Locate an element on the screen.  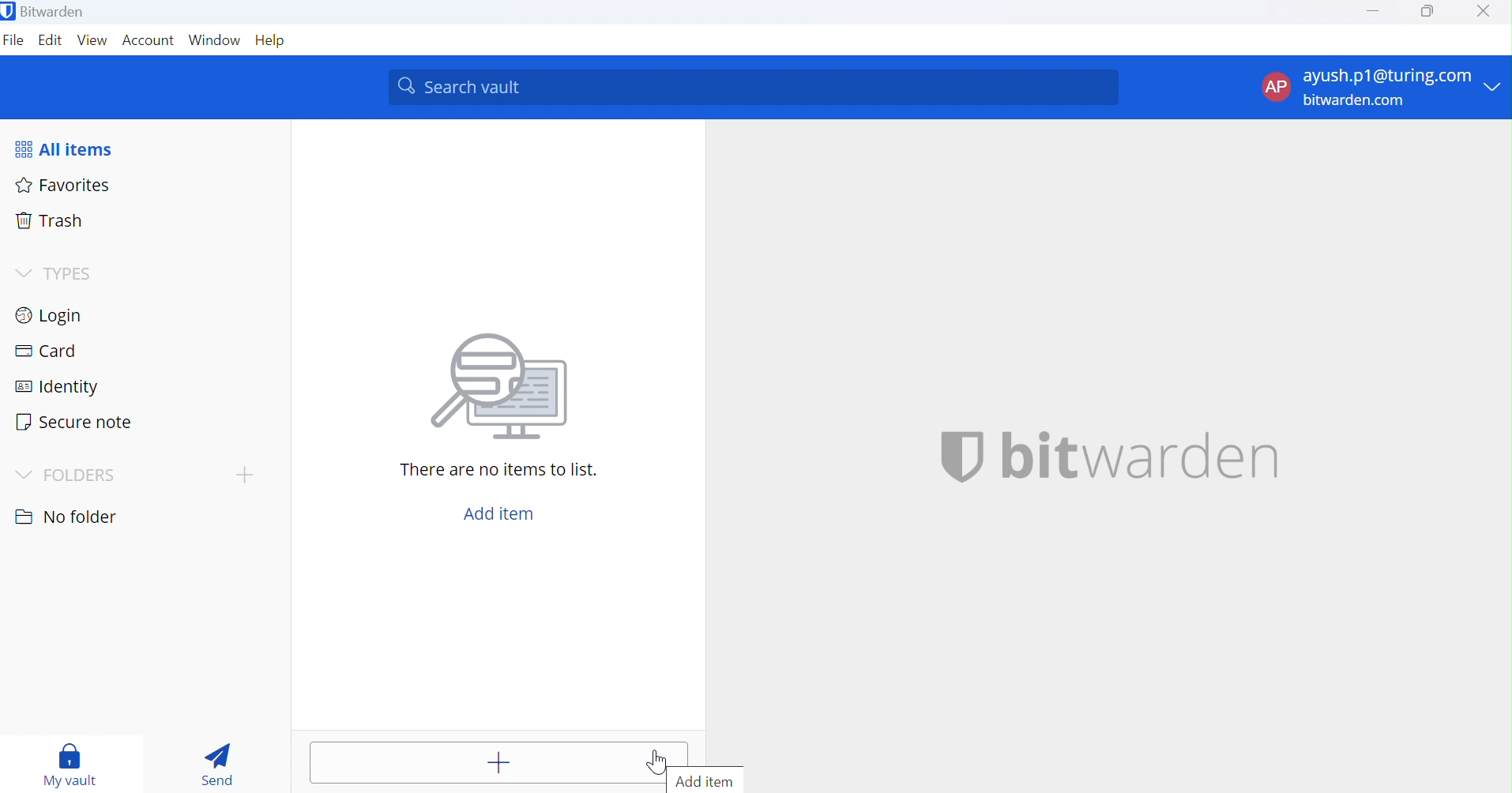
My vault is located at coordinates (70, 760).